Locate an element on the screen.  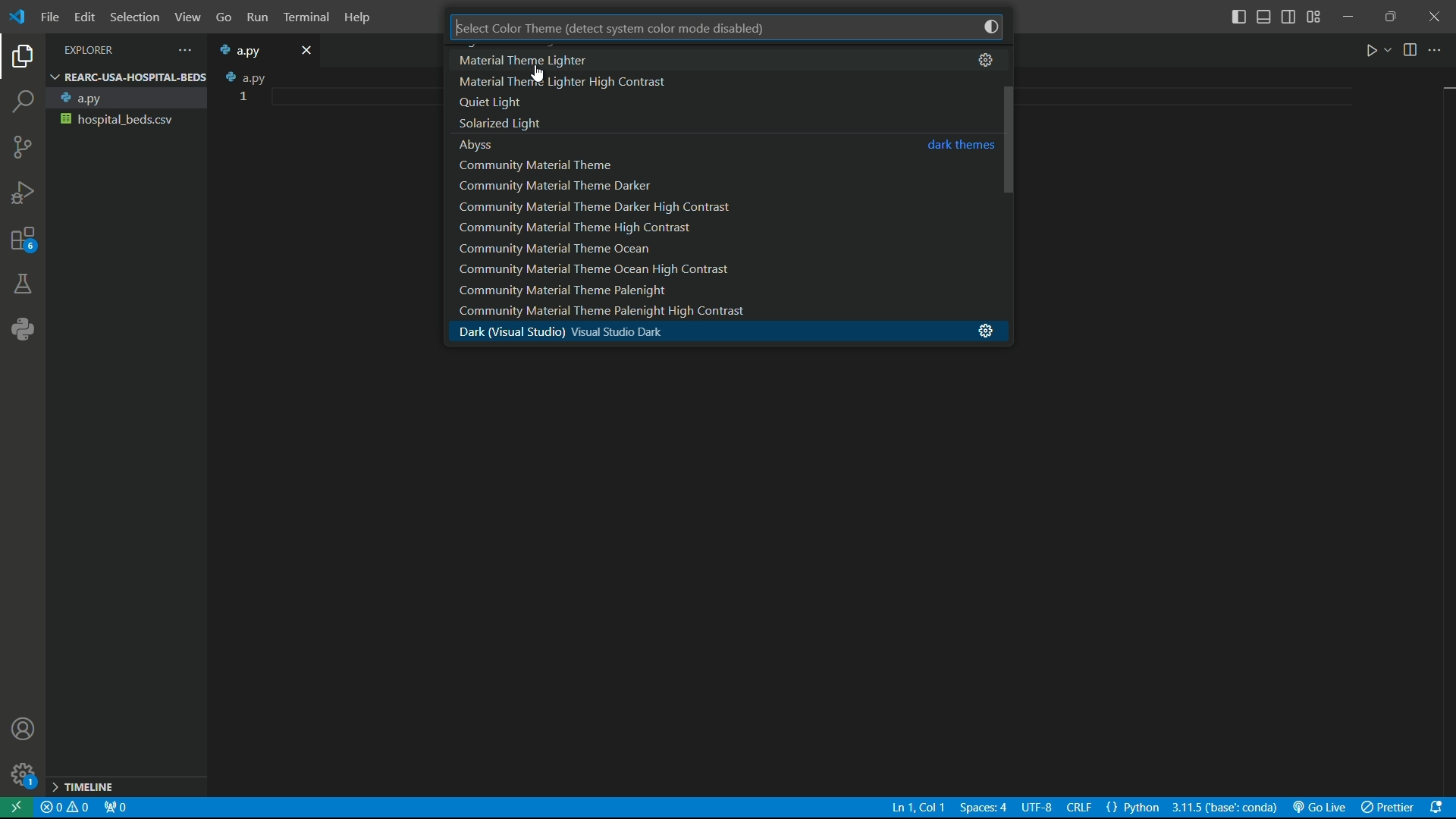
hospital_beds.csv  is located at coordinates (124, 119).